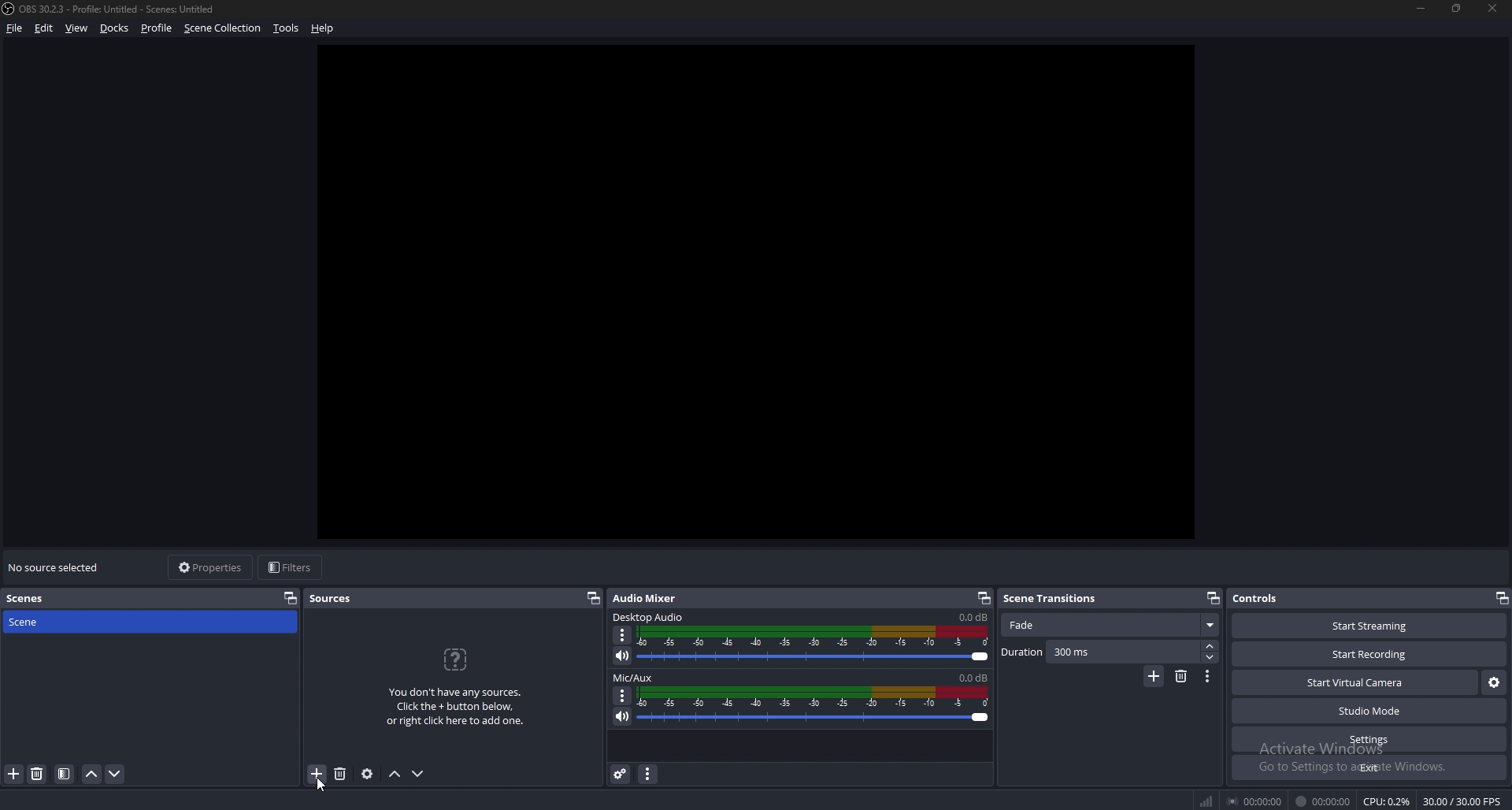 Image resolution: width=1512 pixels, height=810 pixels. What do you see at coordinates (1494, 683) in the screenshot?
I see `Virtual camera settings` at bounding box center [1494, 683].